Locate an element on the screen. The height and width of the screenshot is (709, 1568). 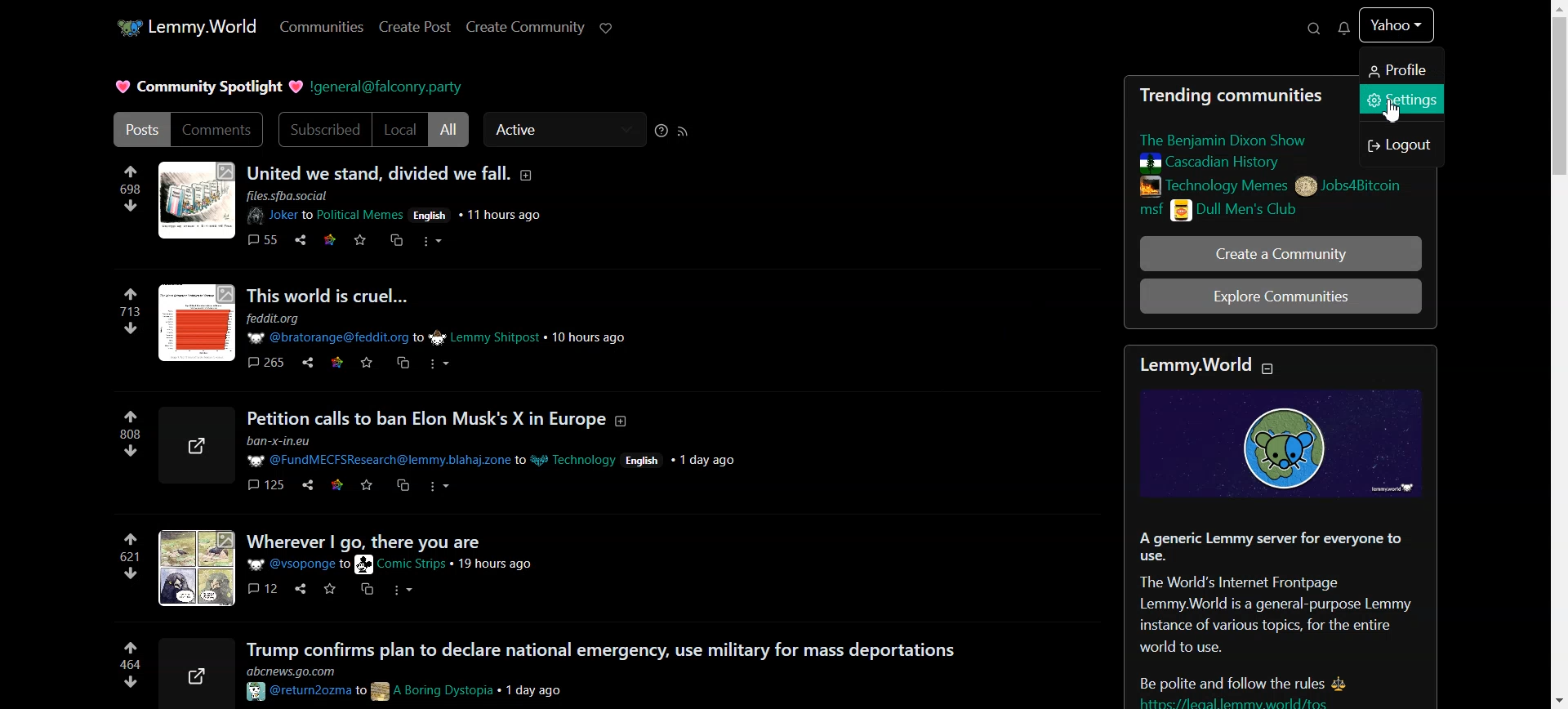
star is located at coordinates (367, 365).